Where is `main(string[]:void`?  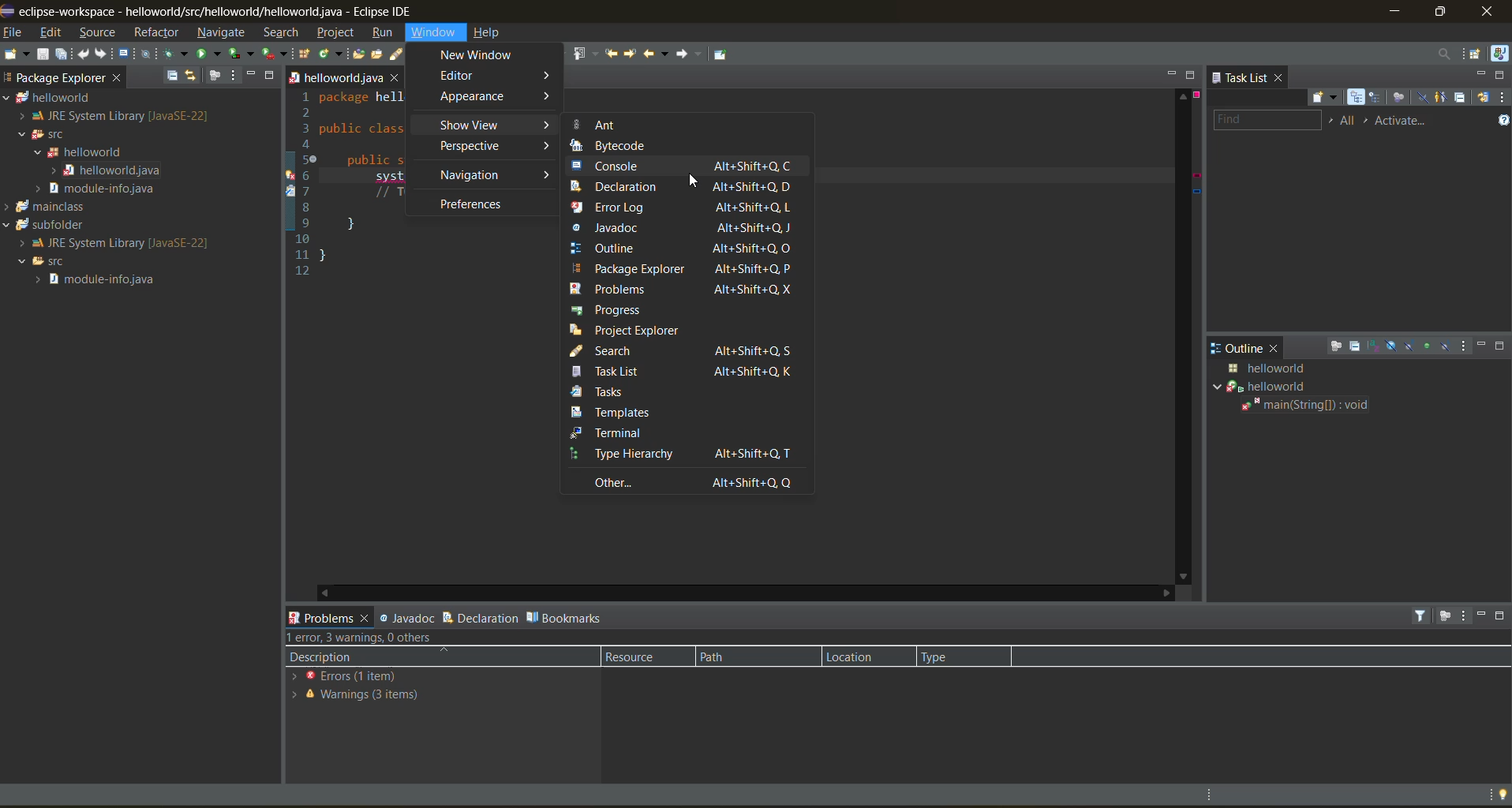
main(string[]:void is located at coordinates (1328, 406).